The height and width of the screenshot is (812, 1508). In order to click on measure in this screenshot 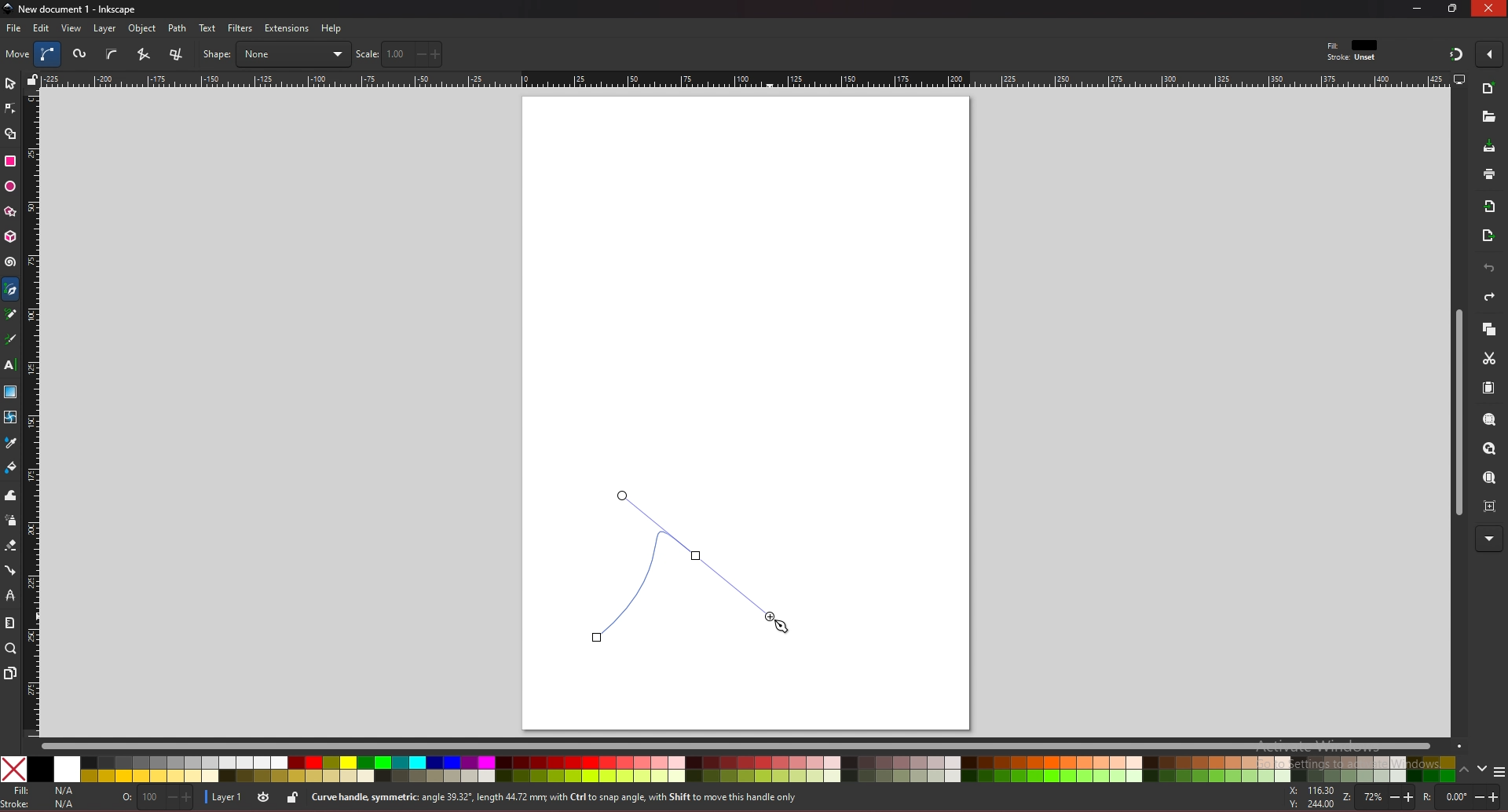, I will do `click(9, 623)`.